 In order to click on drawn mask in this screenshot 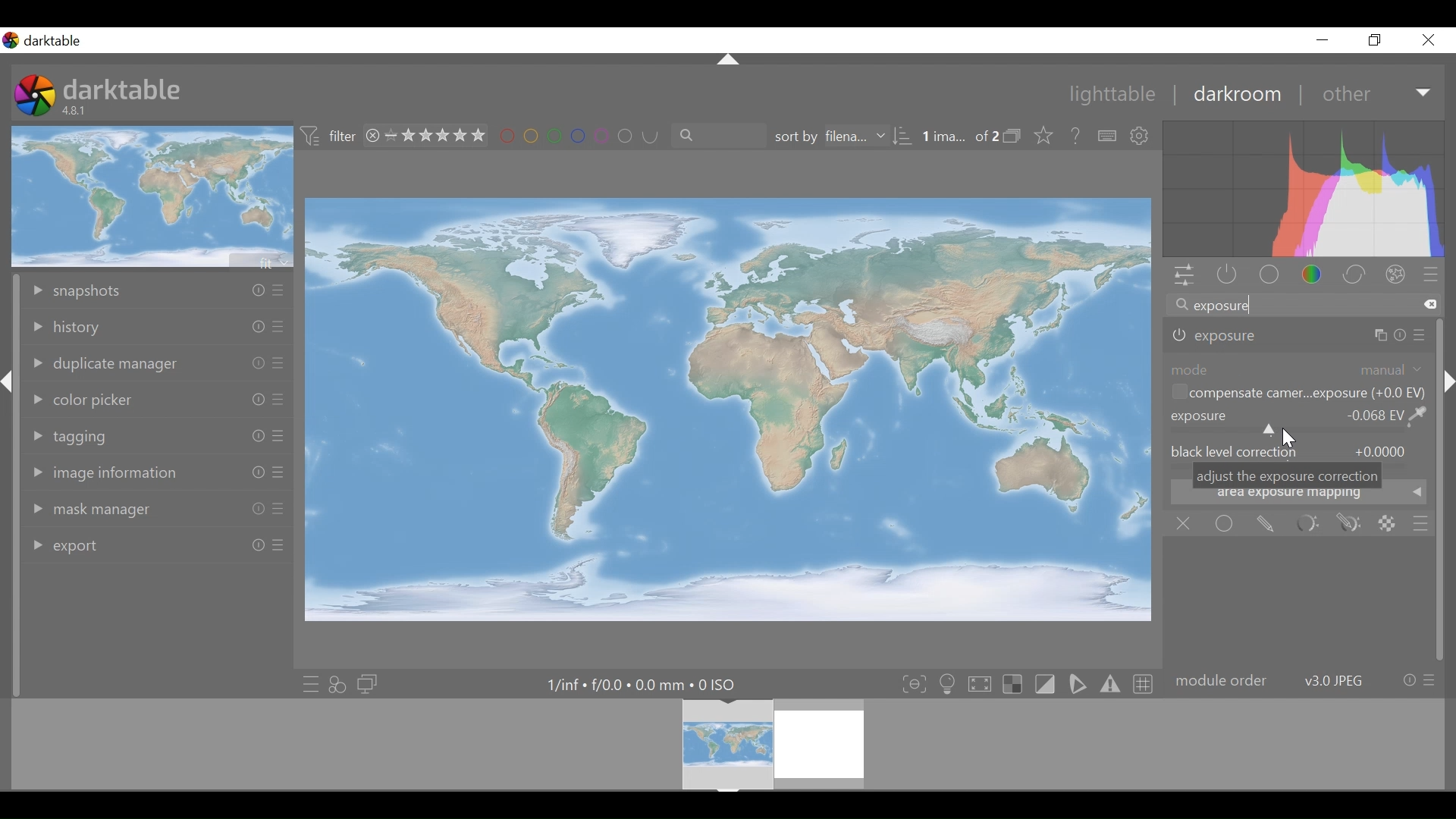, I will do `click(1268, 522)`.